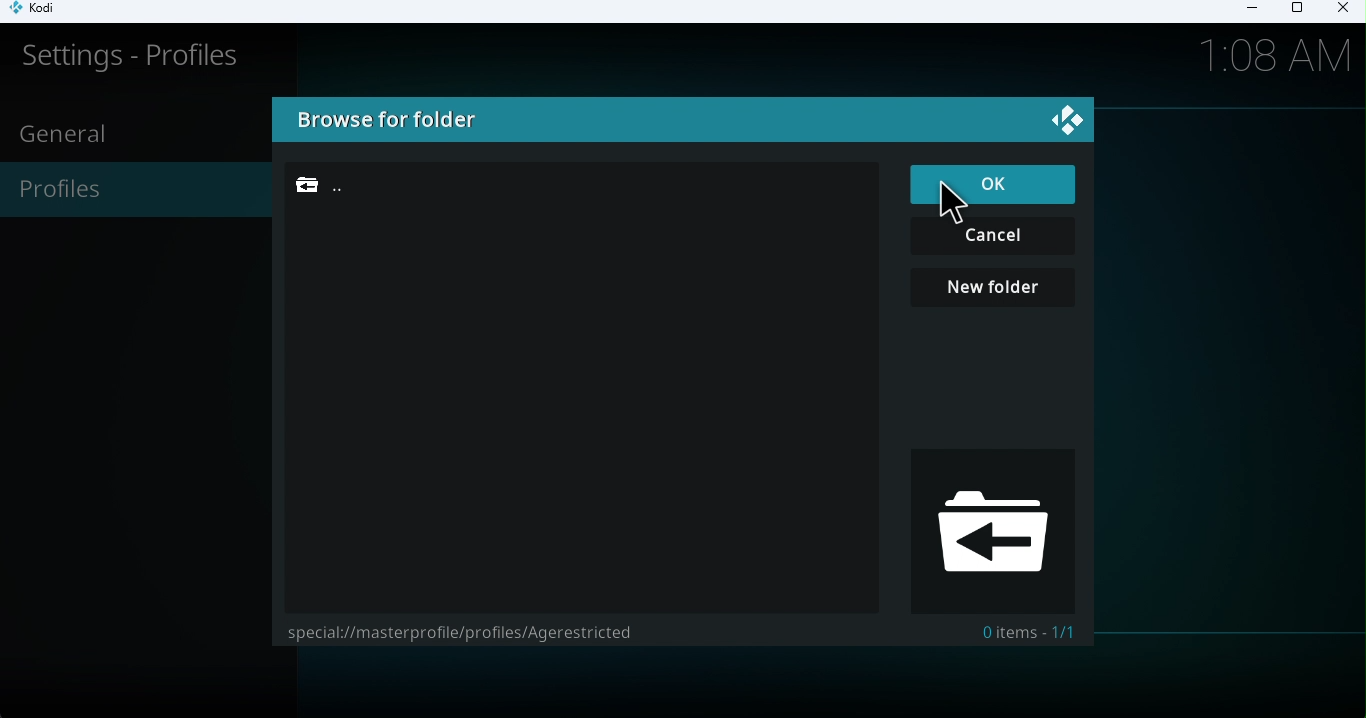 Image resolution: width=1366 pixels, height=718 pixels. I want to click on Close, so click(1340, 11).